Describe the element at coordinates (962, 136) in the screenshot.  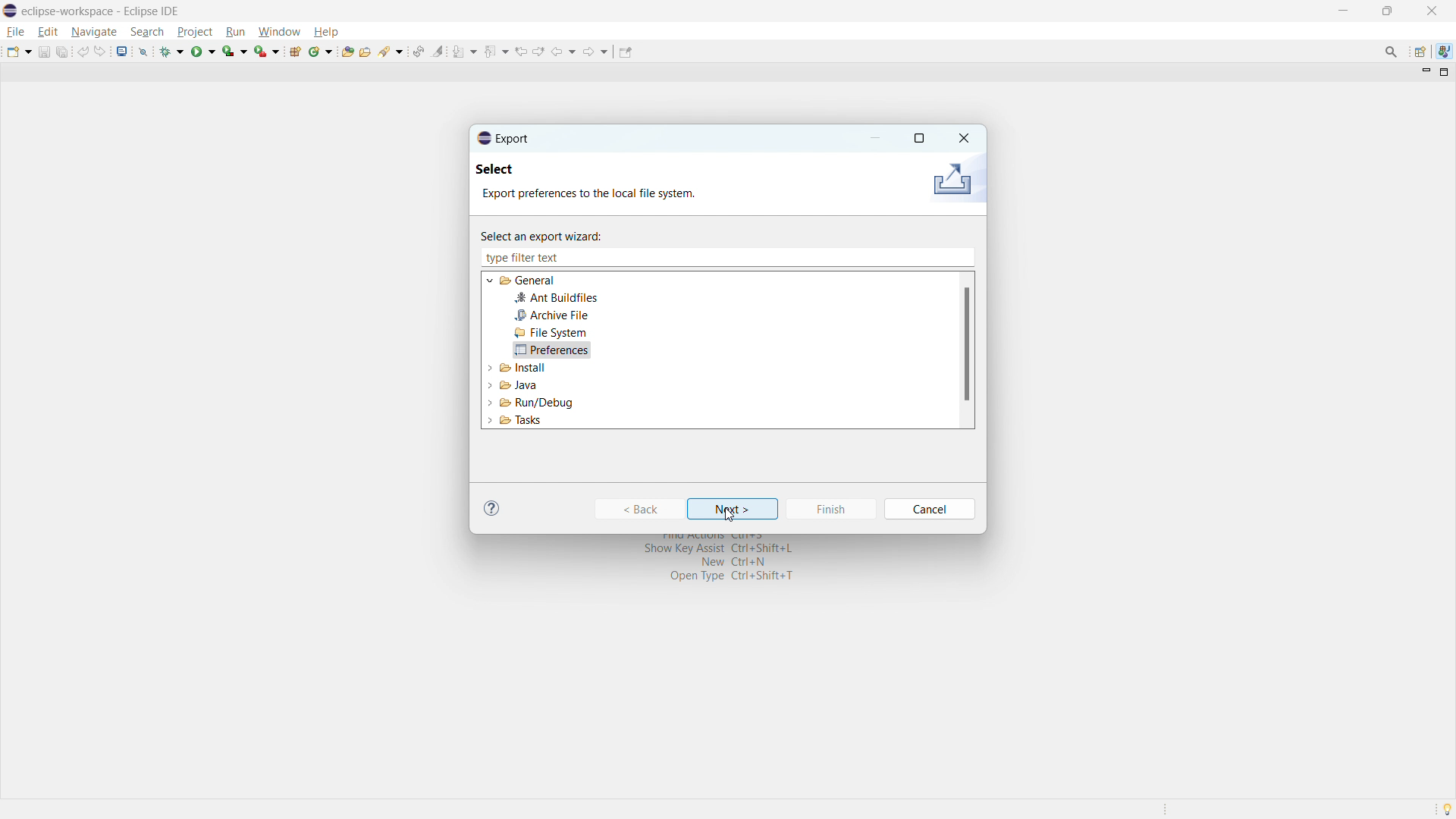
I see `close` at that location.